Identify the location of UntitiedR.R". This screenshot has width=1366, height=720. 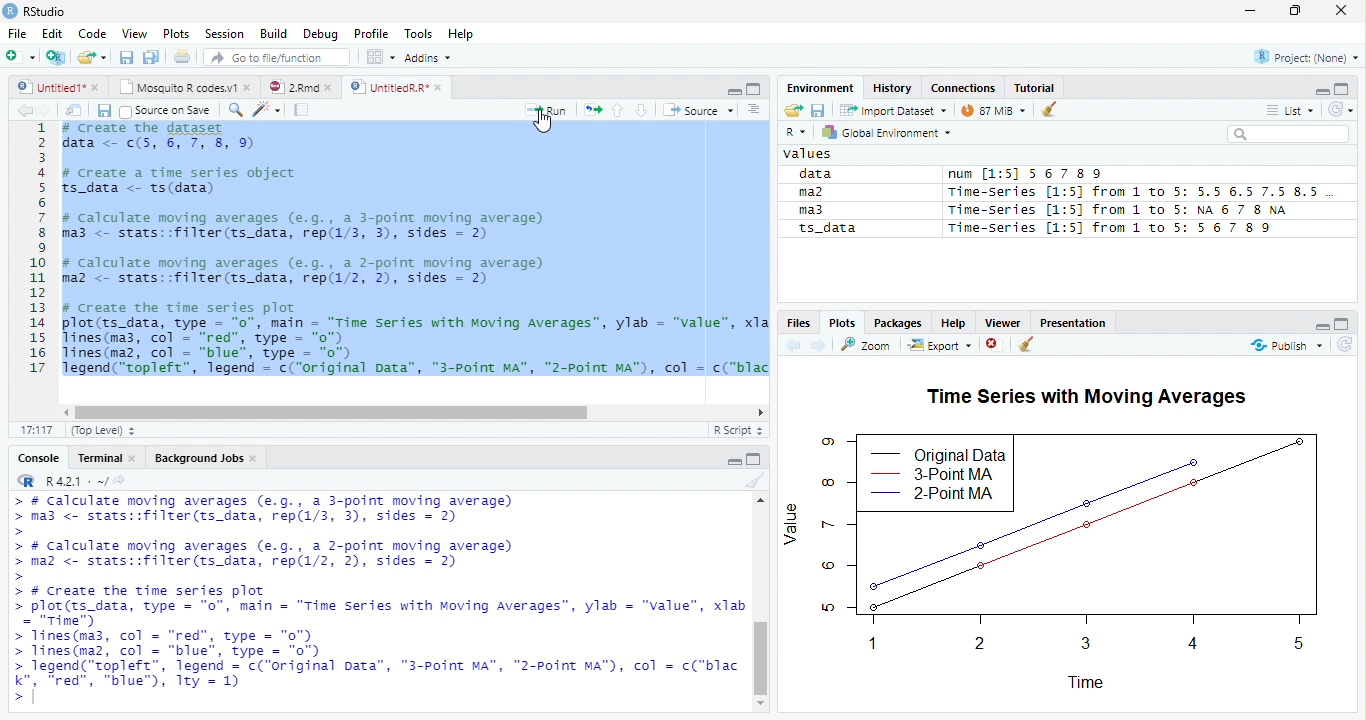
(387, 87).